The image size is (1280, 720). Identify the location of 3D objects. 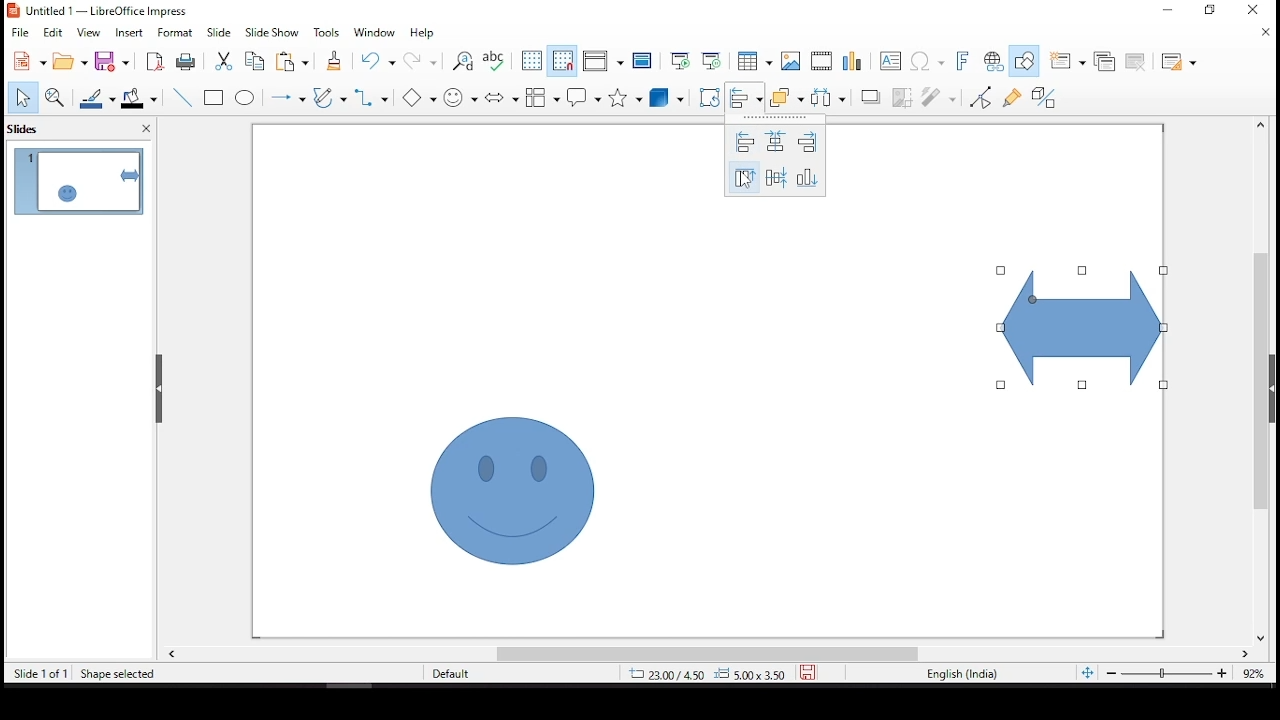
(667, 99).